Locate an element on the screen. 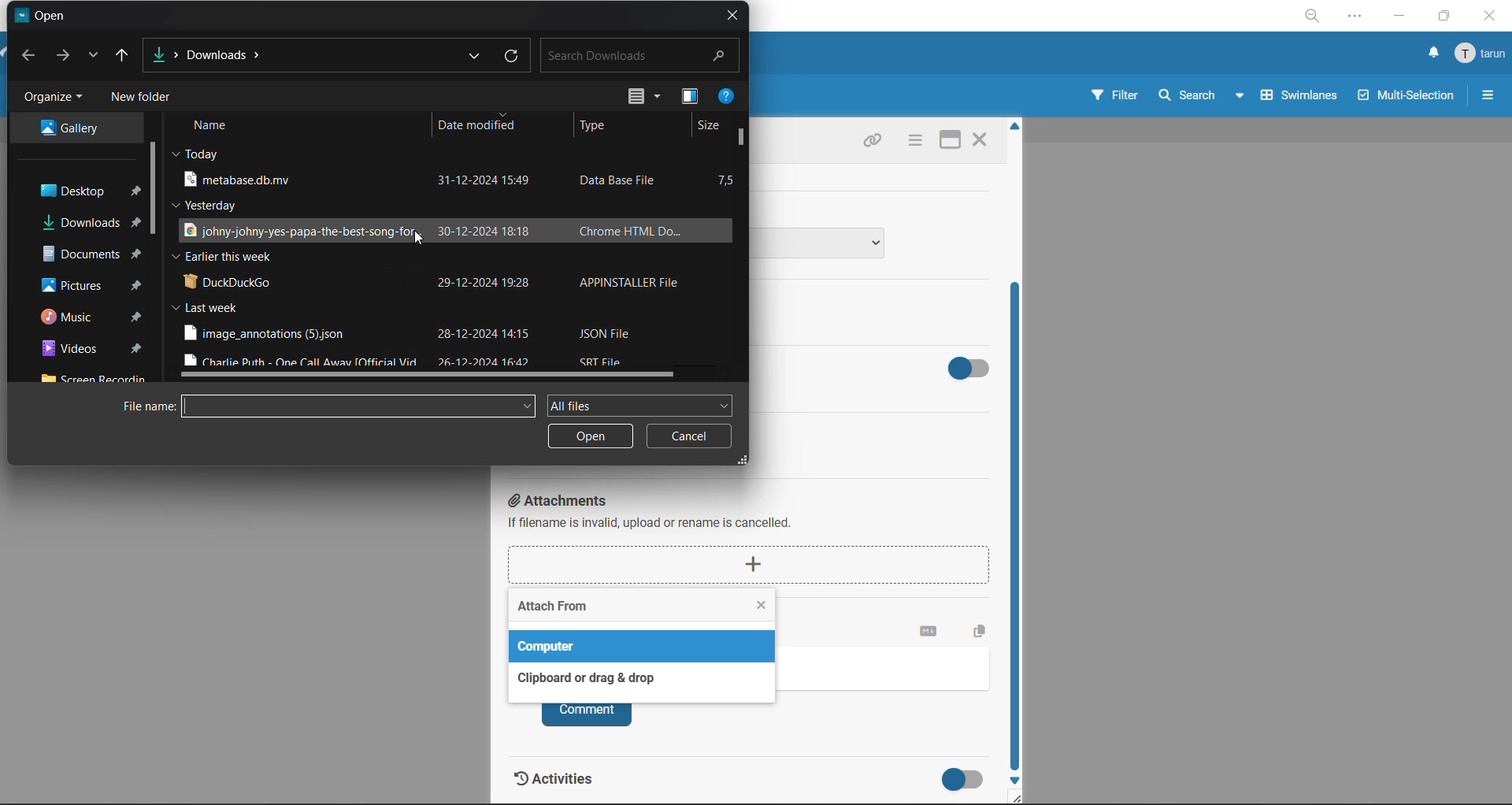 This screenshot has width=1512, height=805. date modified is located at coordinates (480, 129).